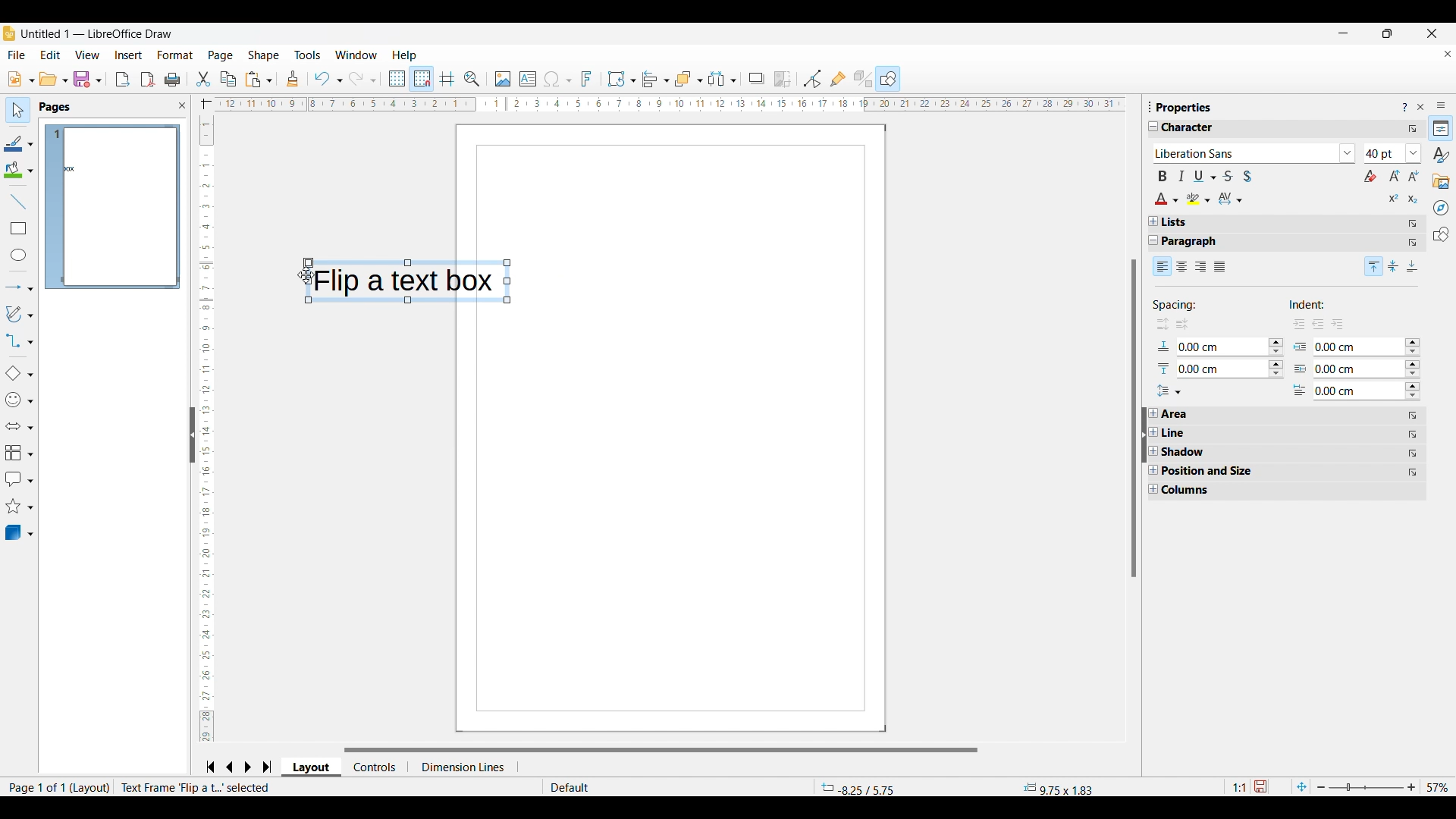 This screenshot has height=819, width=1456. I want to click on Change respective spacing attribute, so click(1276, 358).